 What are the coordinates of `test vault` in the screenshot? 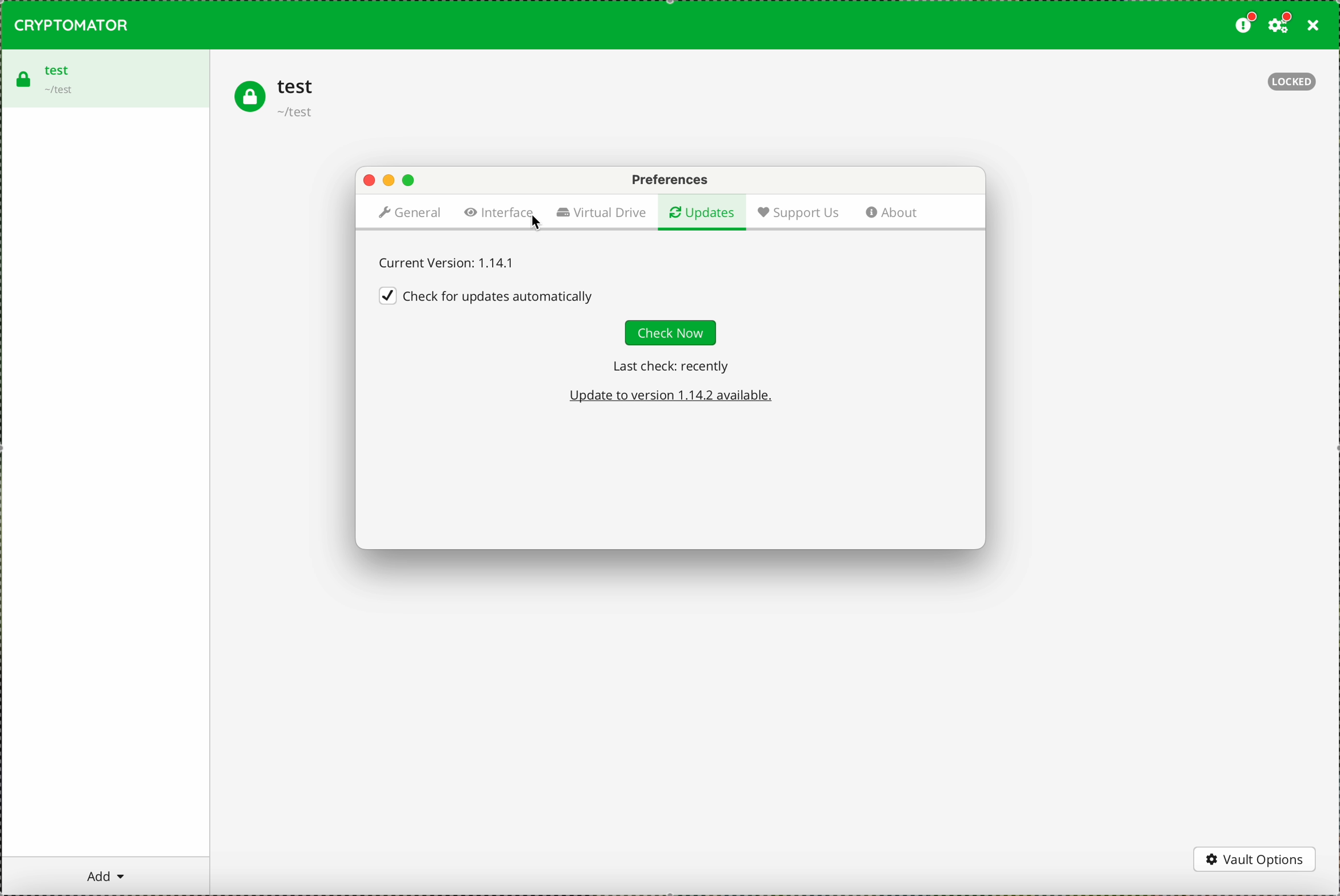 It's located at (104, 78).